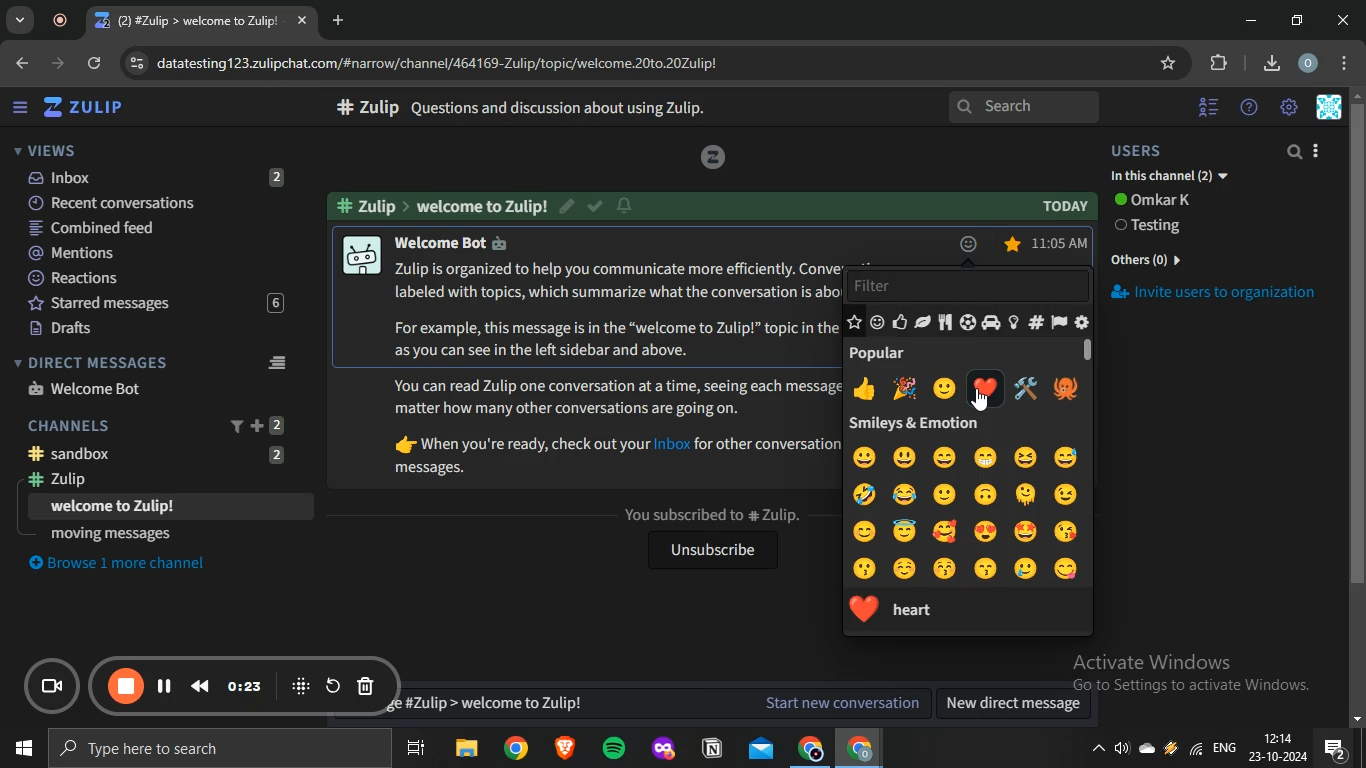 Image resolution: width=1366 pixels, height=768 pixels. Describe the element at coordinates (866, 455) in the screenshot. I see `grinning` at that location.